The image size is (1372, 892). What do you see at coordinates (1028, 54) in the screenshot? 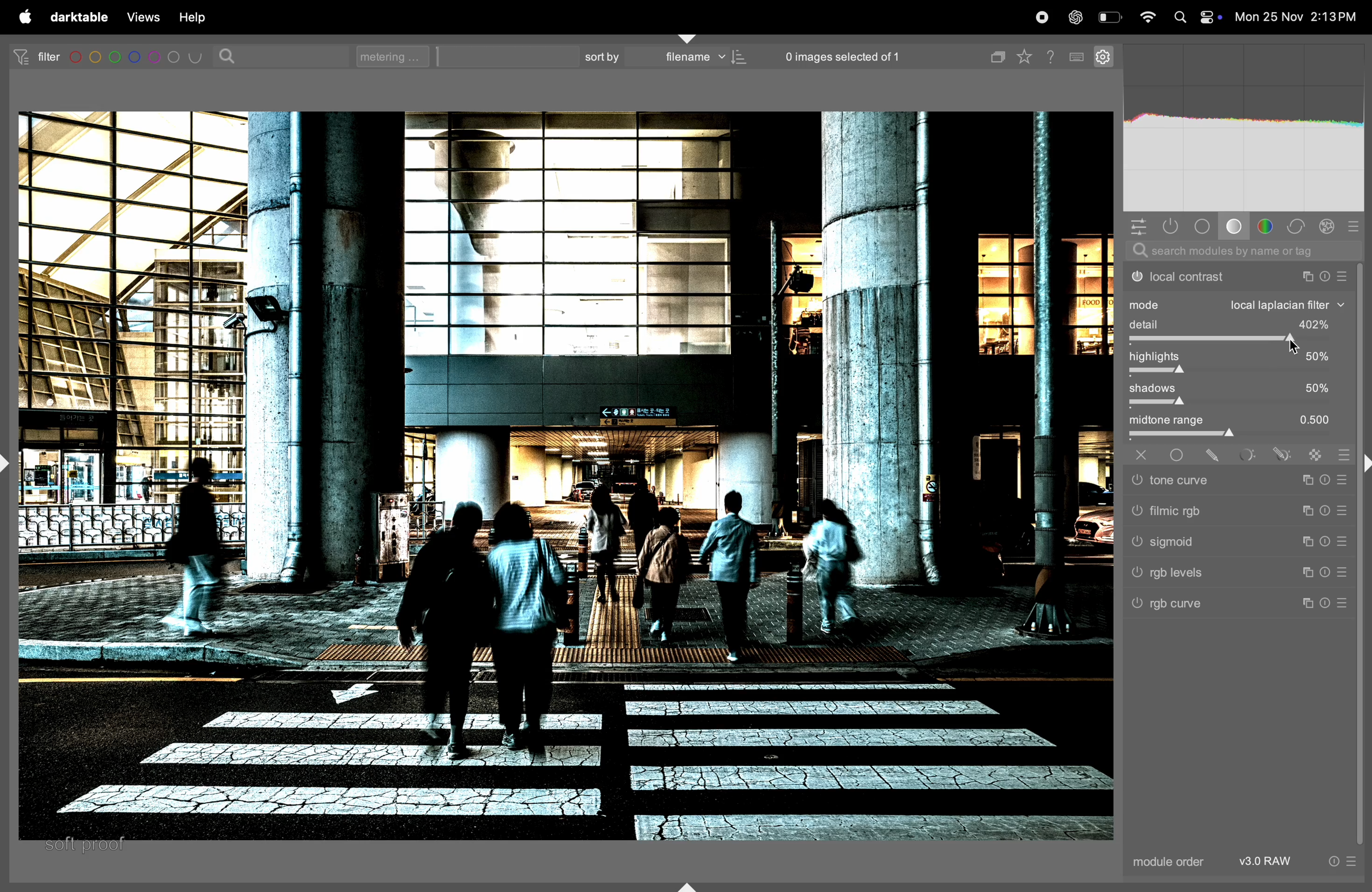
I see `favourites` at bounding box center [1028, 54].